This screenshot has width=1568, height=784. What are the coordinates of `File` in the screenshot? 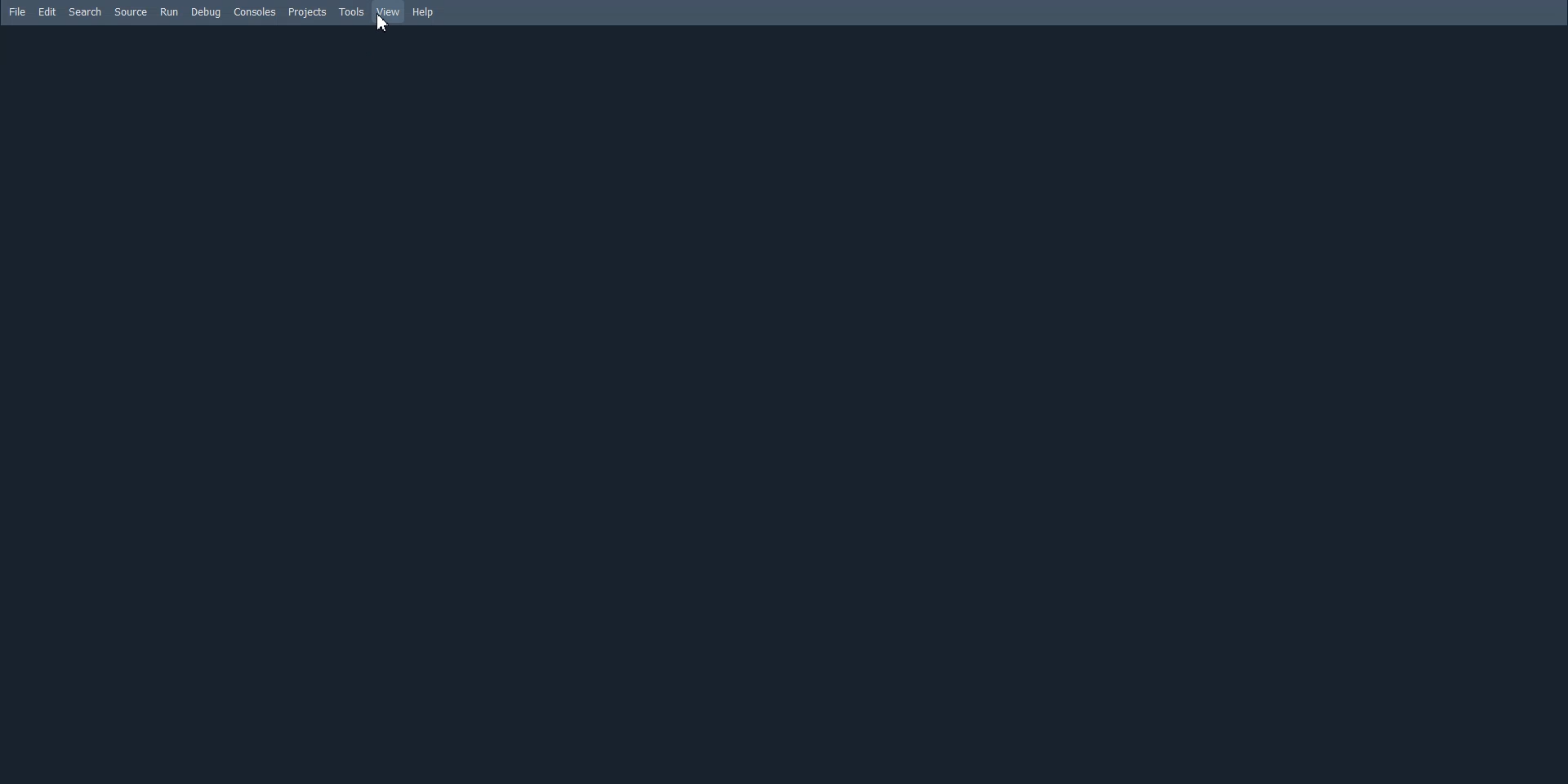 It's located at (17, 11).